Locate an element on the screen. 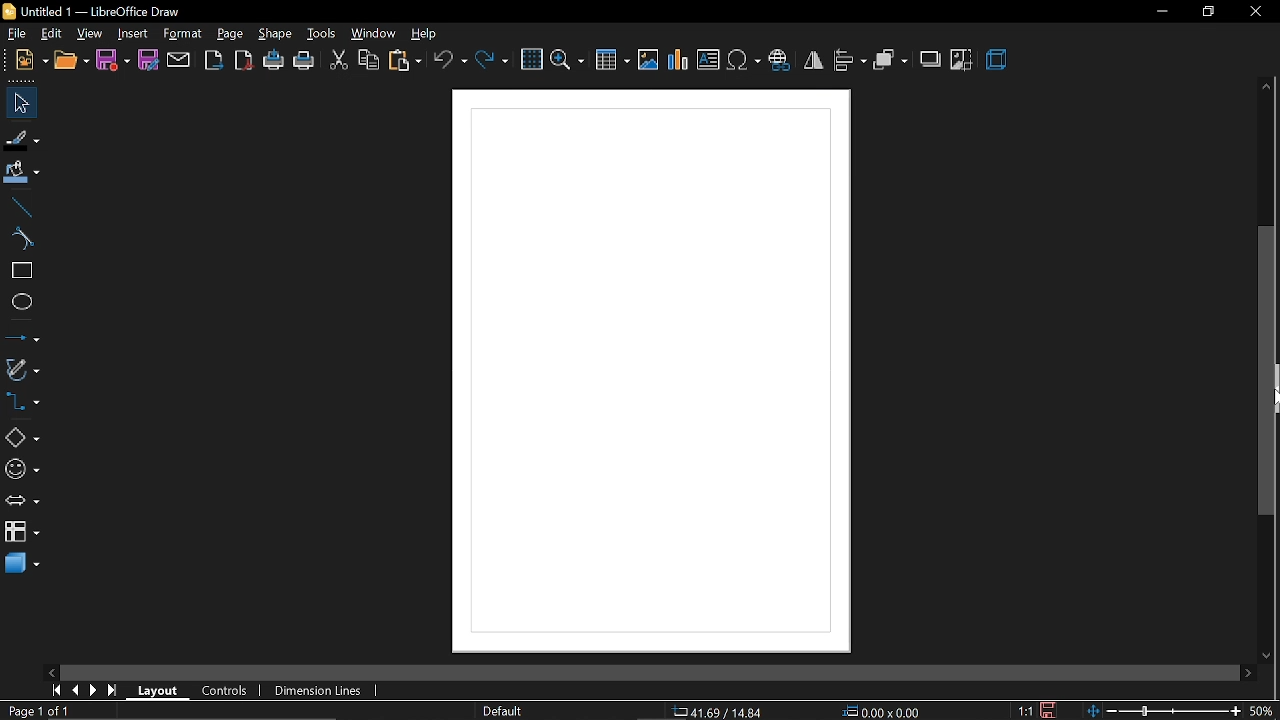  vertical scrollbar is located at coordinates (1267, 371).